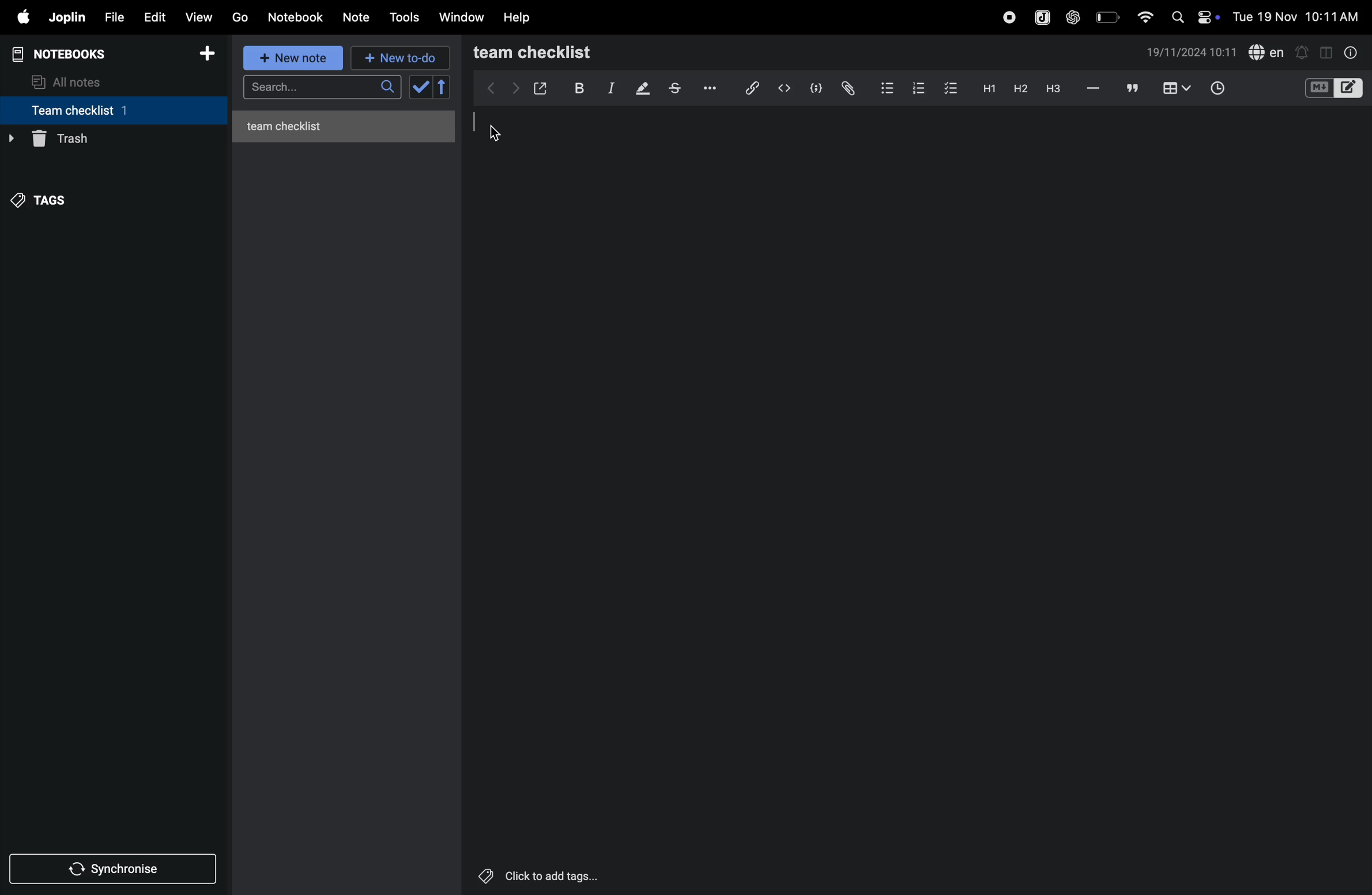 The image size is (1372, 895). What do you see at coordinates (747, 87) in the screenshot?
I see `hyperlink` at bounding box center [747, 87].